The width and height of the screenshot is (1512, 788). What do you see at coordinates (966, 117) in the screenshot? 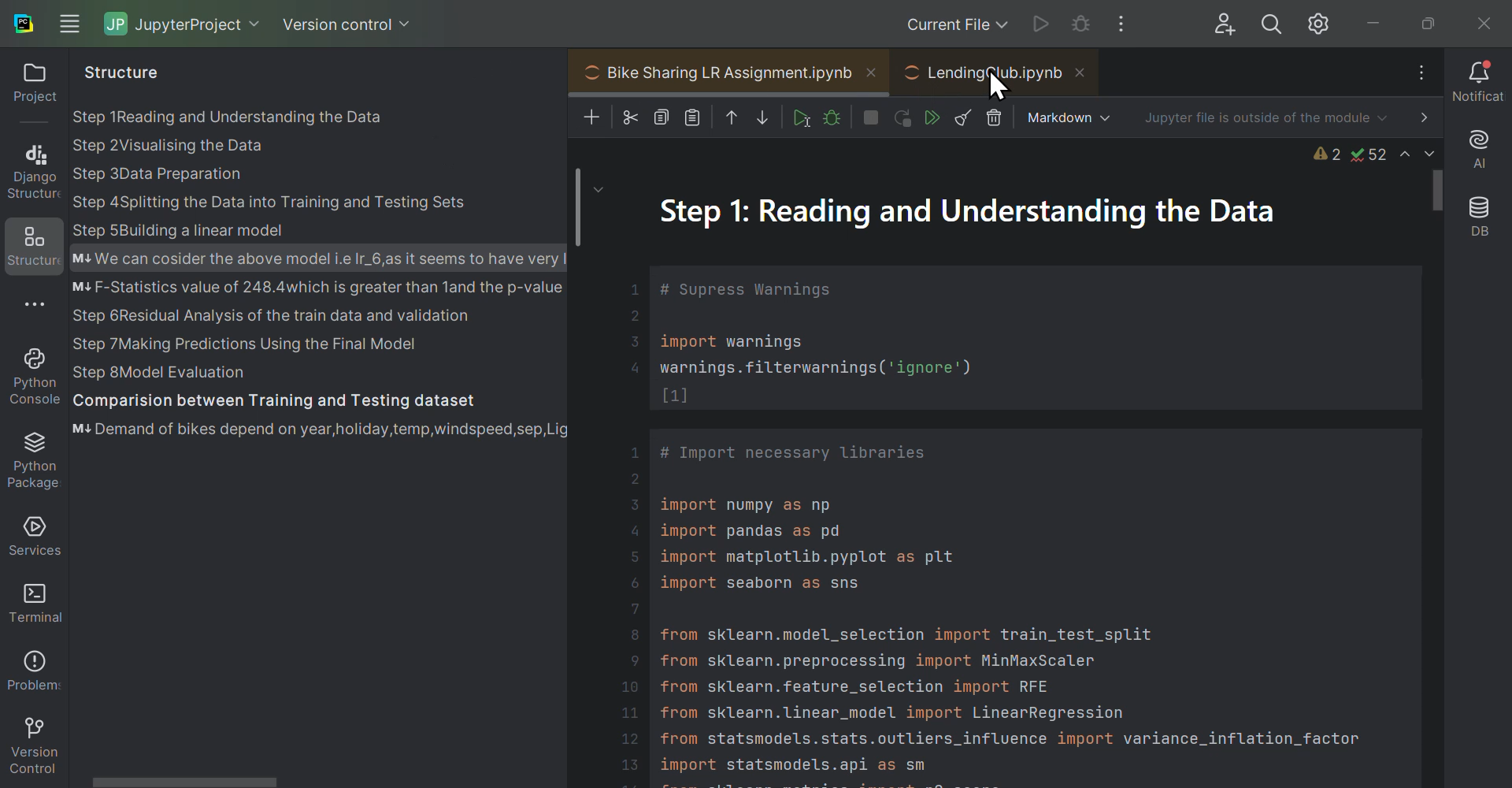
I see `Clear all outputs` at bounding box center [966, 117].